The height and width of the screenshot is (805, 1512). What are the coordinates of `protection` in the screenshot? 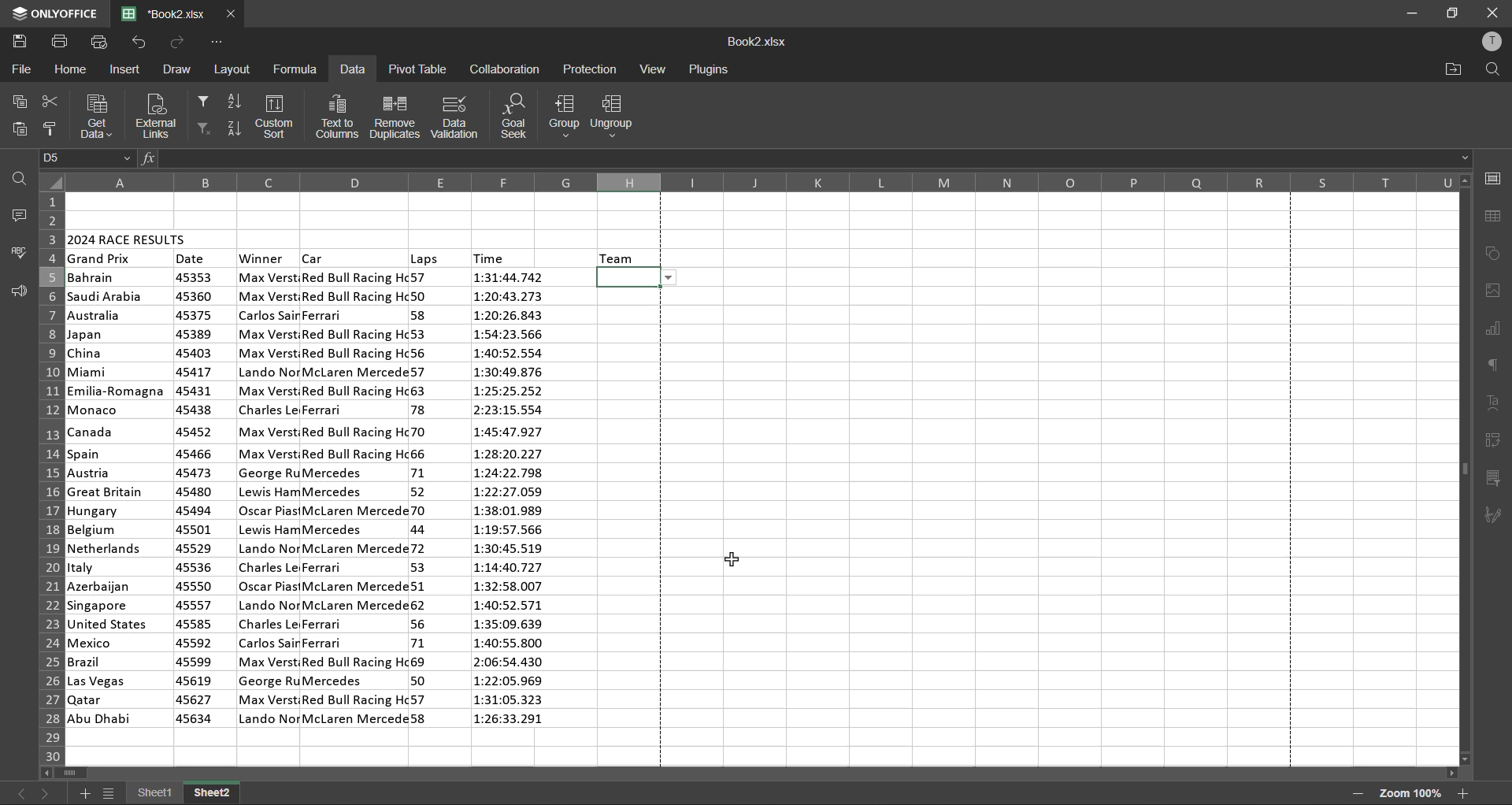 It's located at (591, 70).